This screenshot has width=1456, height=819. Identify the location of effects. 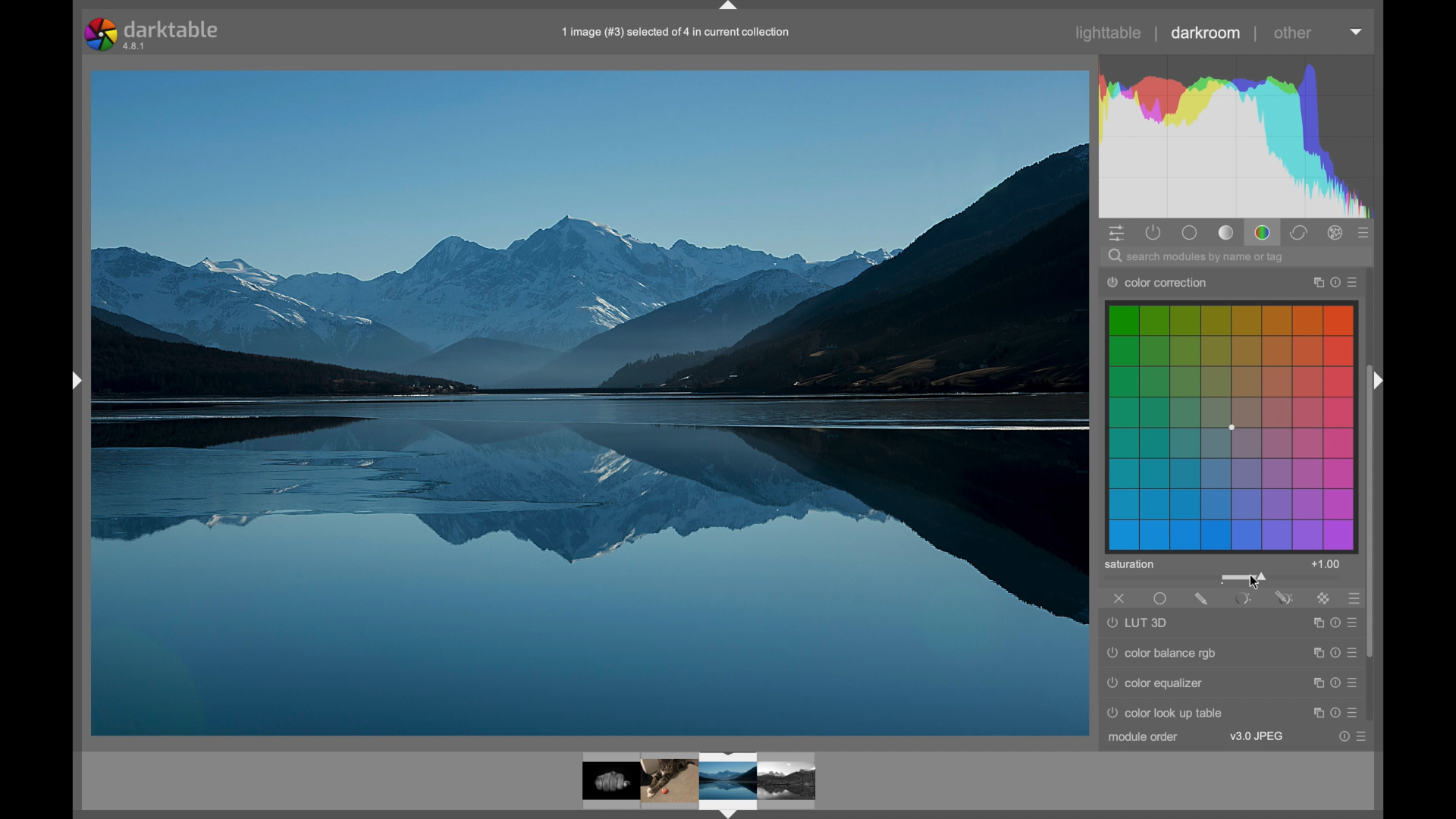
(1336, 234).